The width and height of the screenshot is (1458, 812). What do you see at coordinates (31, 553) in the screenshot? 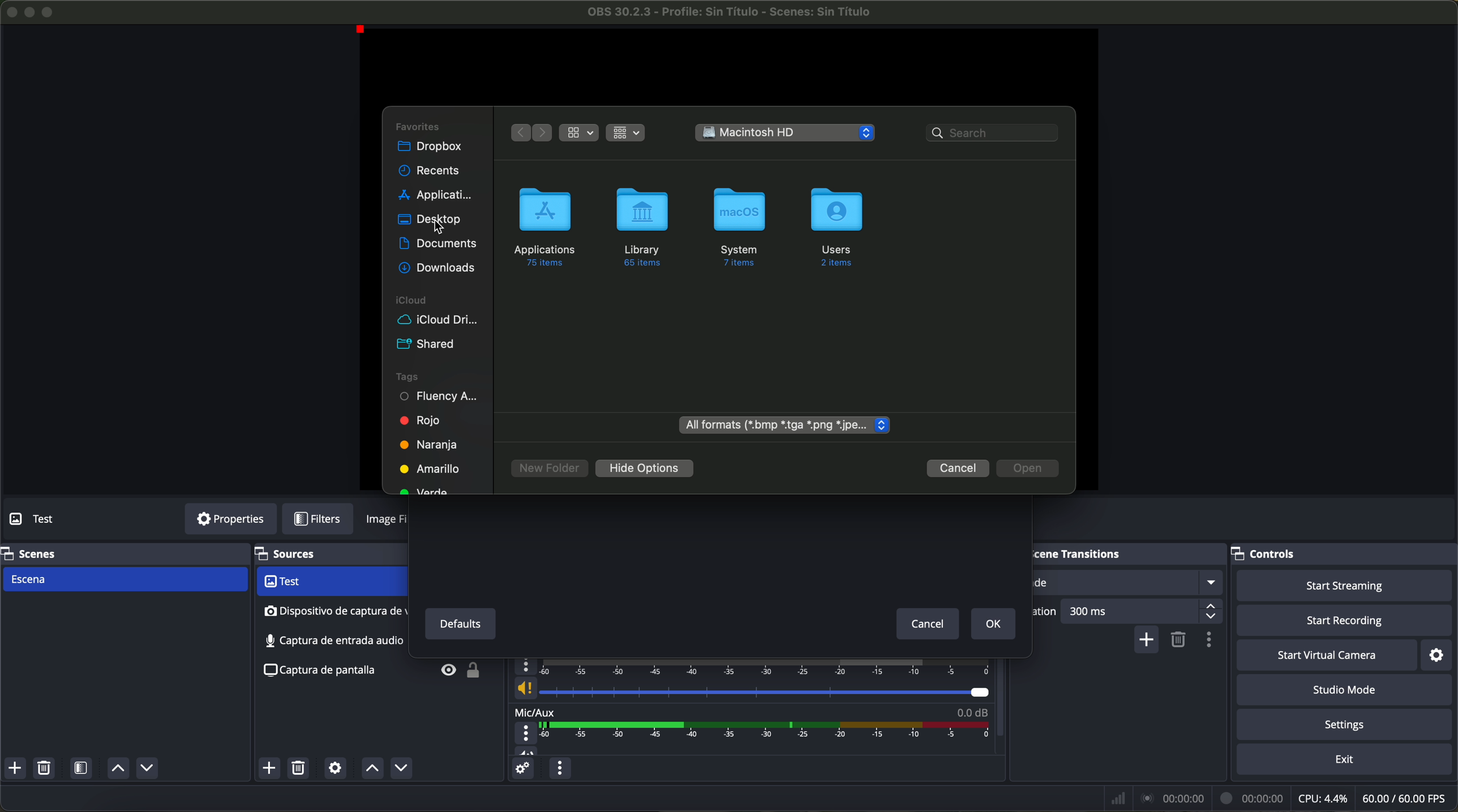
I see `scenes` at bounding box center [31, 553].